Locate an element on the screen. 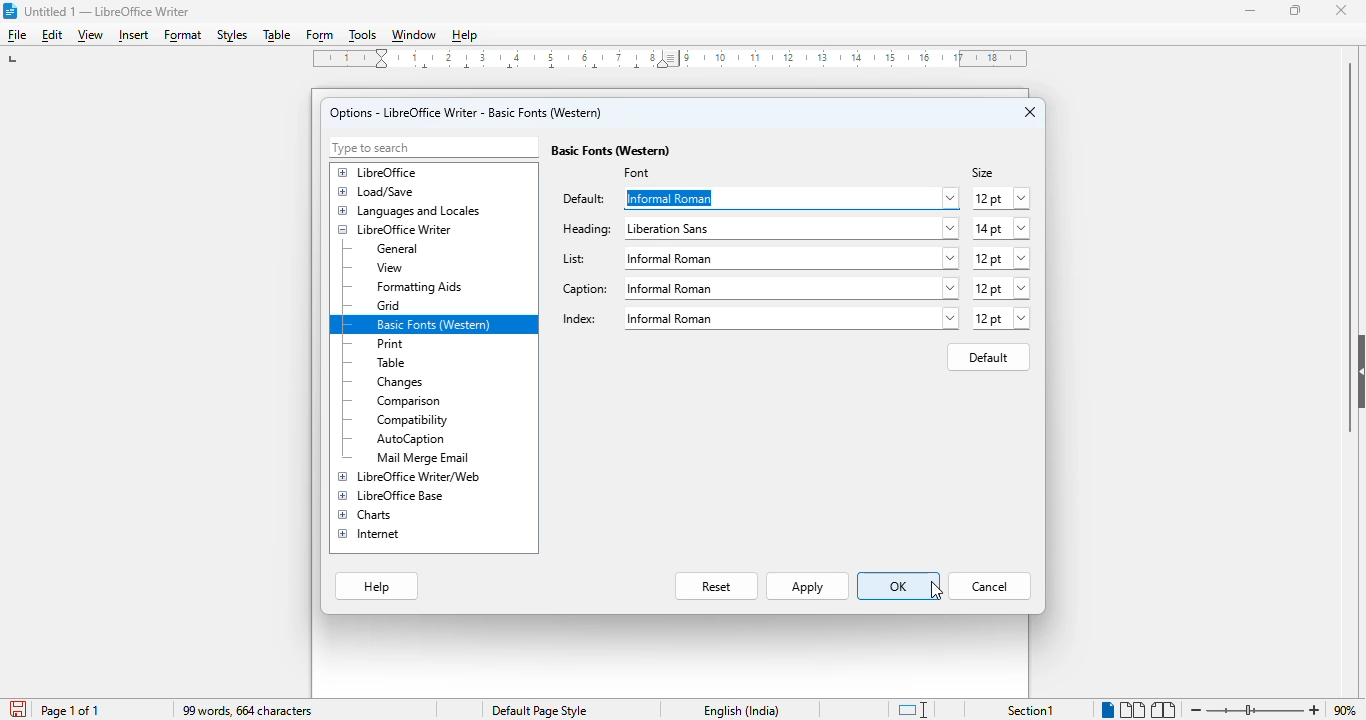  maximize is located at coordinates (1295, 10).